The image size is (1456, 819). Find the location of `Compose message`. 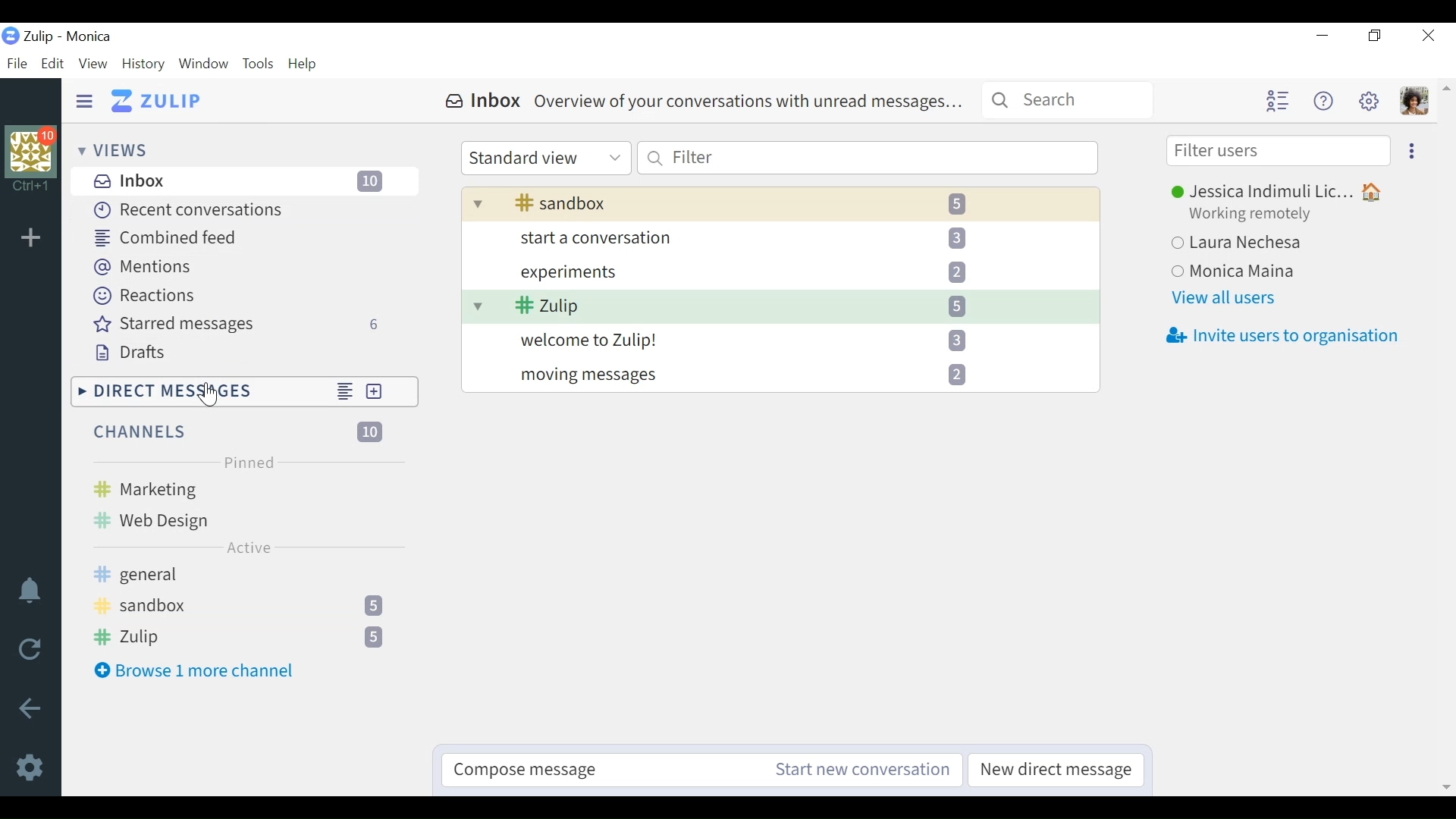

Compose message is located at coordinates (601, 767).